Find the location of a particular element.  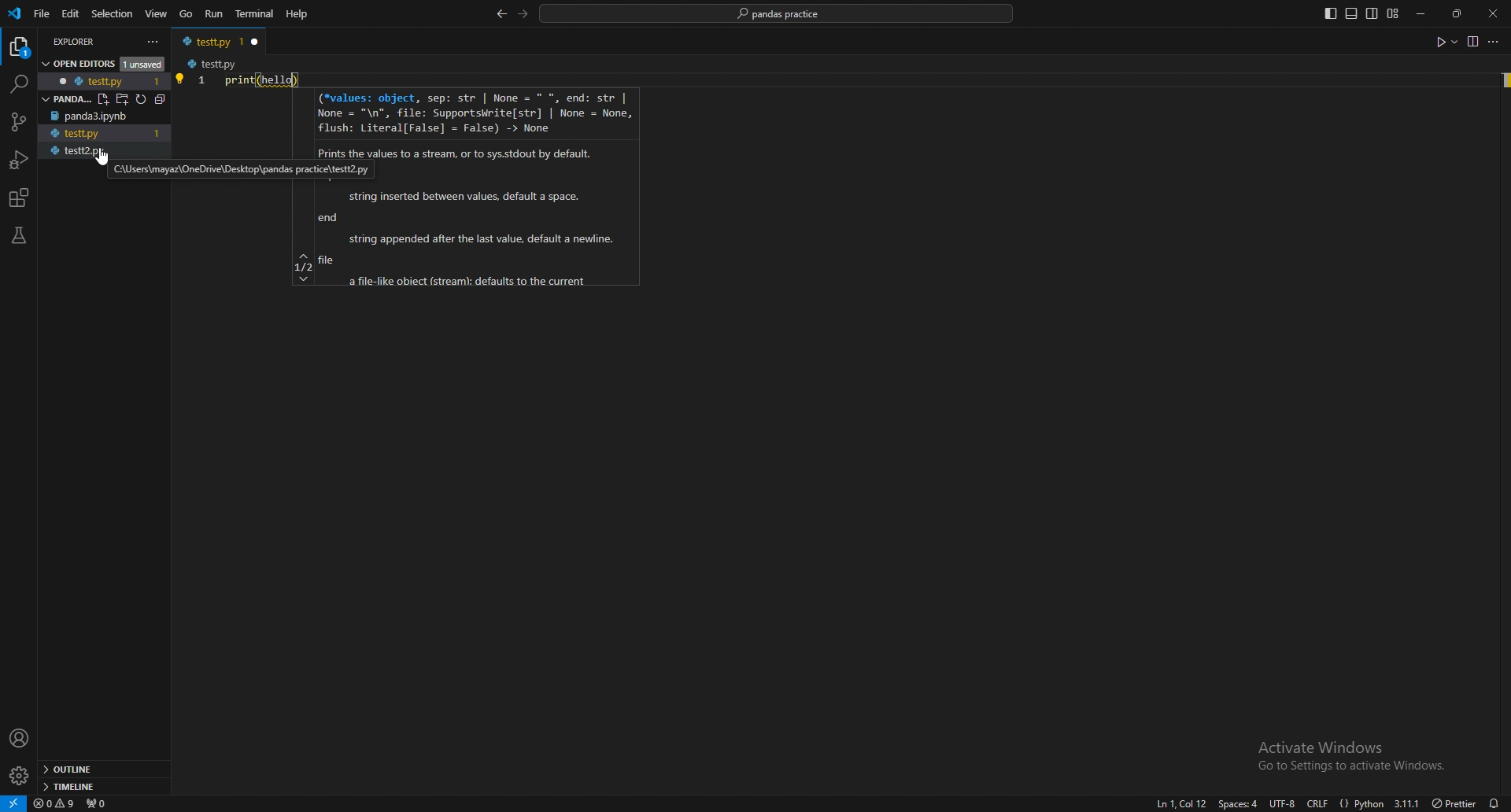

toggle primary side bar is located at coordinates (1332, 13).